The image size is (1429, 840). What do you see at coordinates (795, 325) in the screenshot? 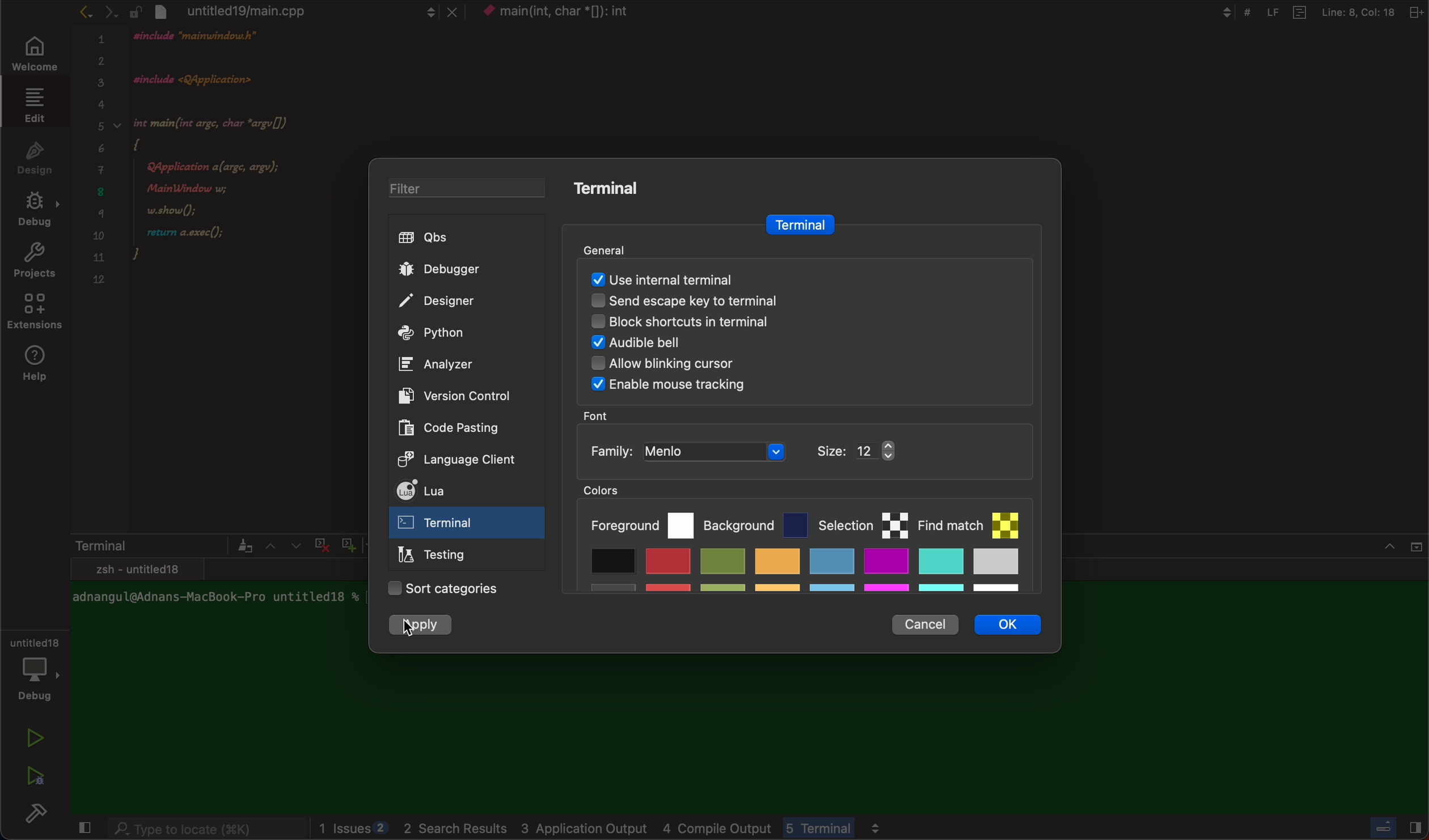
I see `blockshortcuts` at bounding box center [795, 325].